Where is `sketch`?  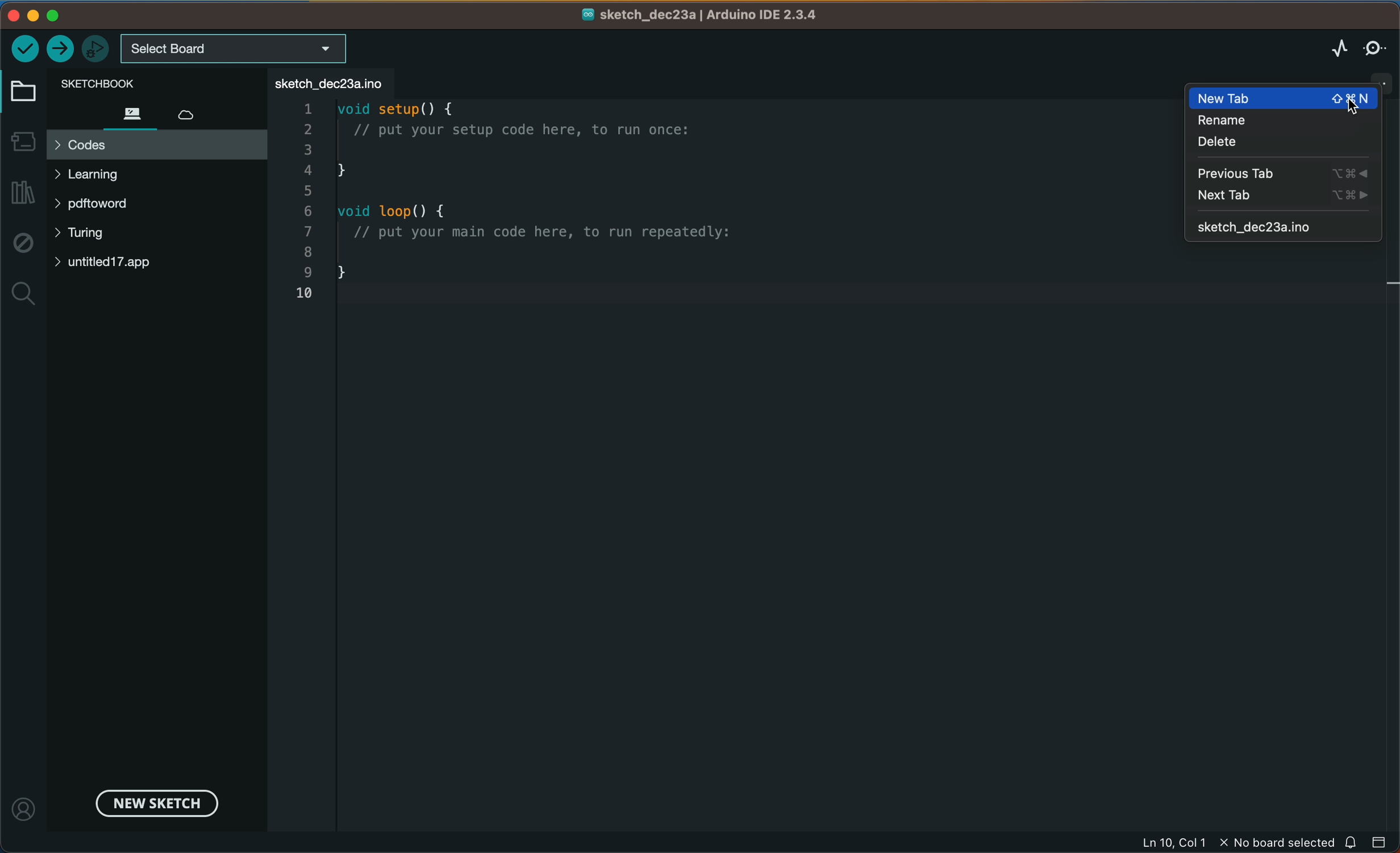 sketch is located at coordinates (1285, 227).